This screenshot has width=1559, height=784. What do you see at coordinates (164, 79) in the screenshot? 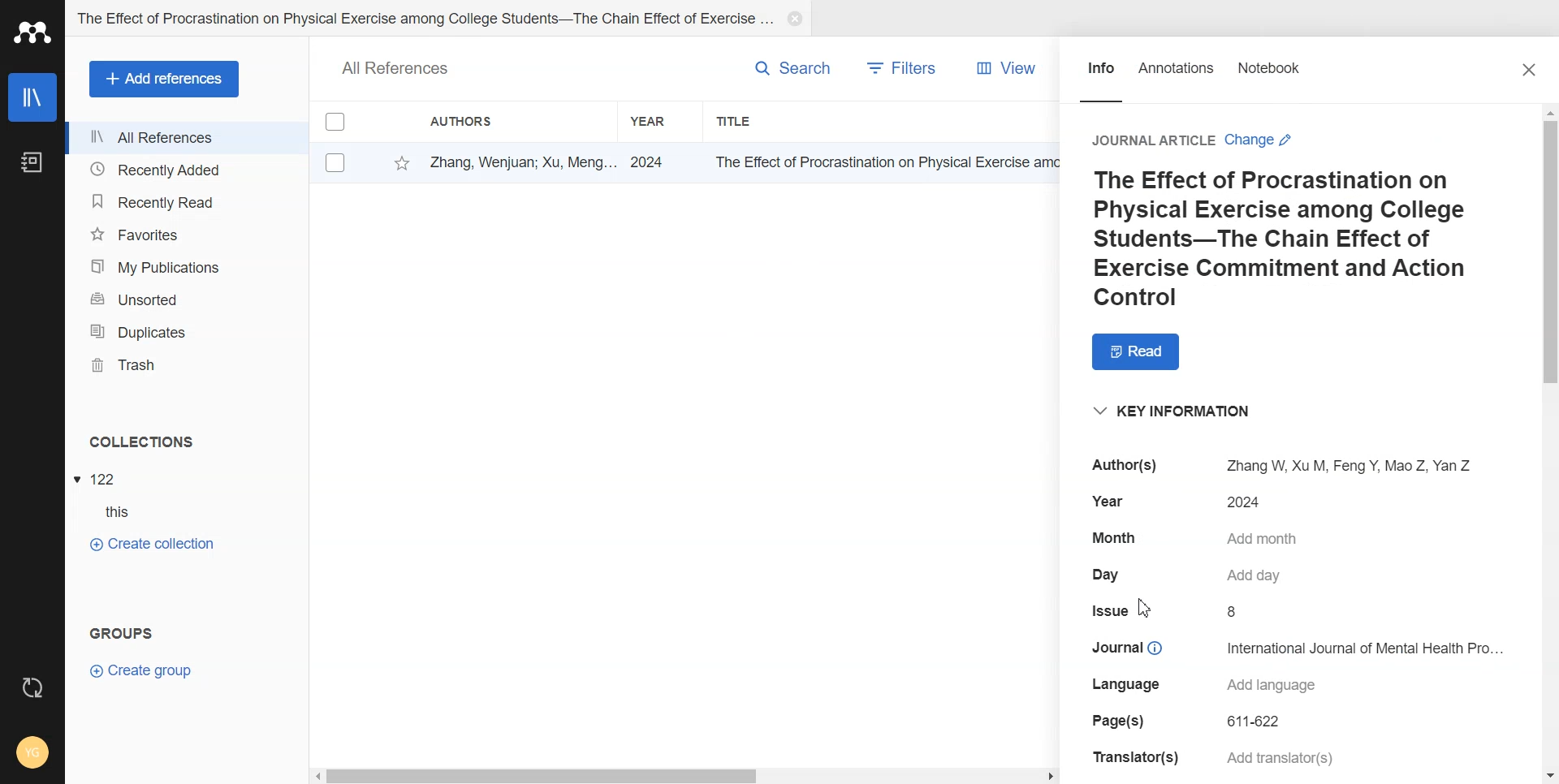
I see `Add Refrences` at bounding box center [164, 79].